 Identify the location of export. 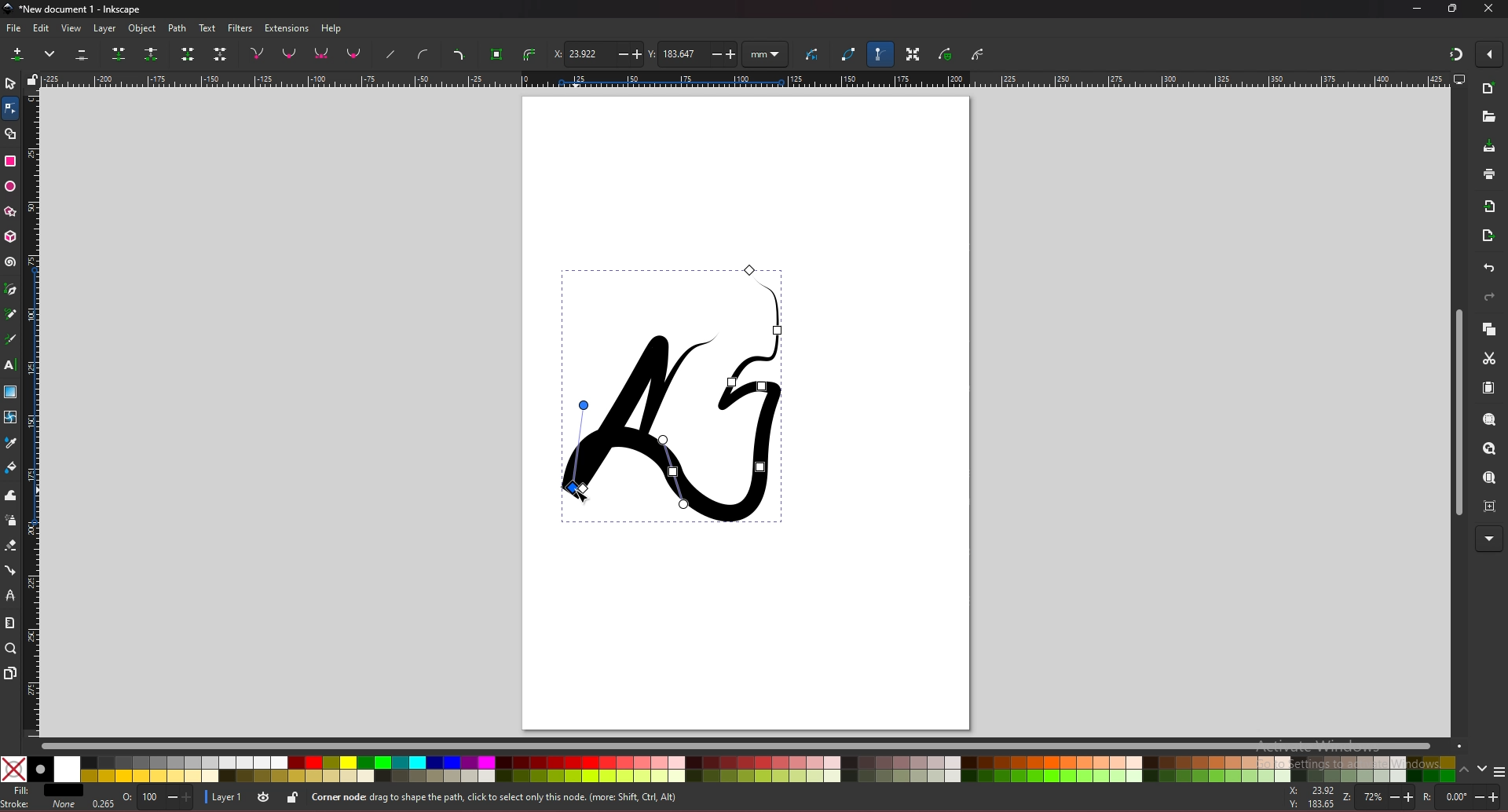
(1489, 235).